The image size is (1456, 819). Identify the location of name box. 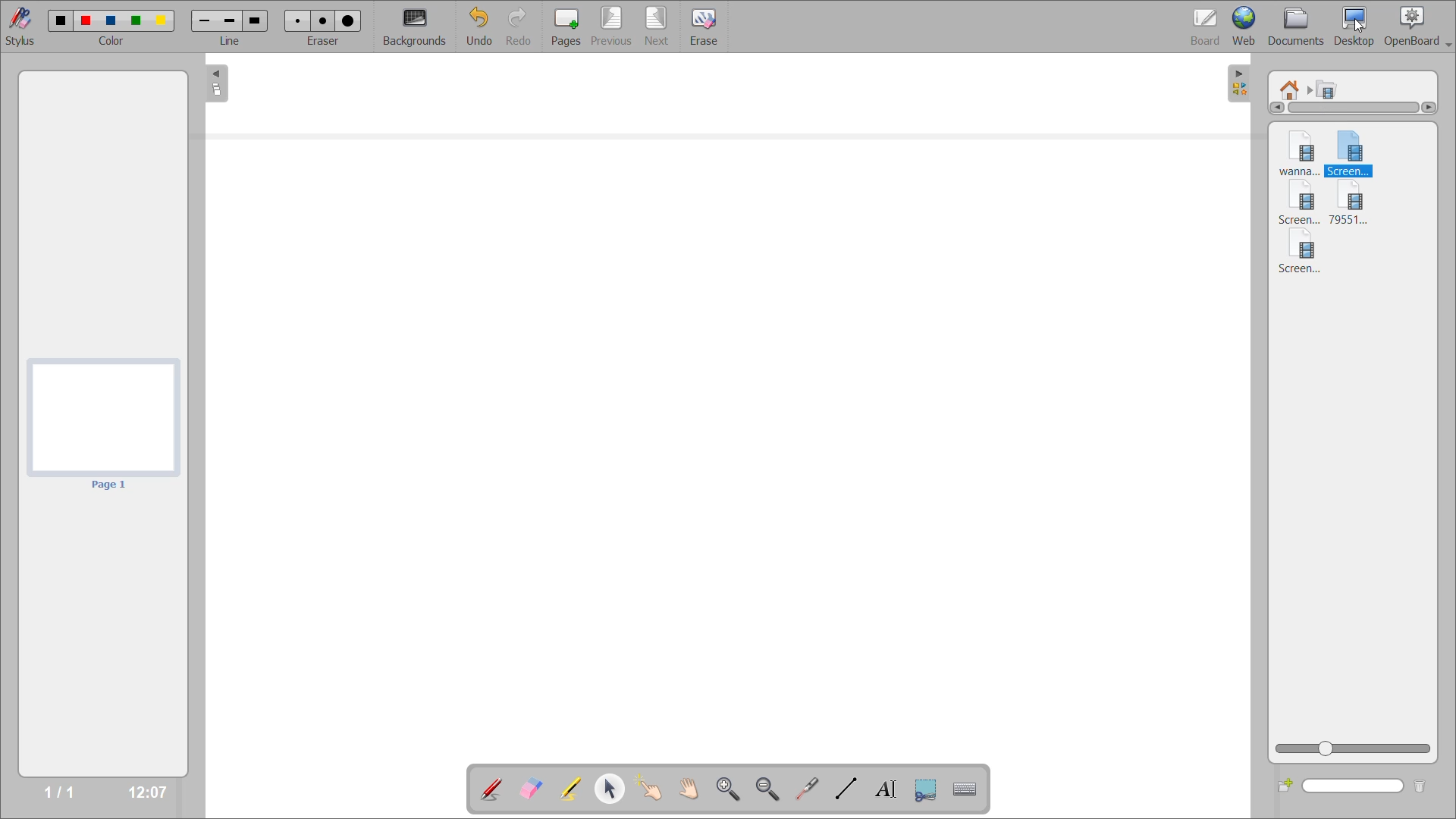
(1355, 787).